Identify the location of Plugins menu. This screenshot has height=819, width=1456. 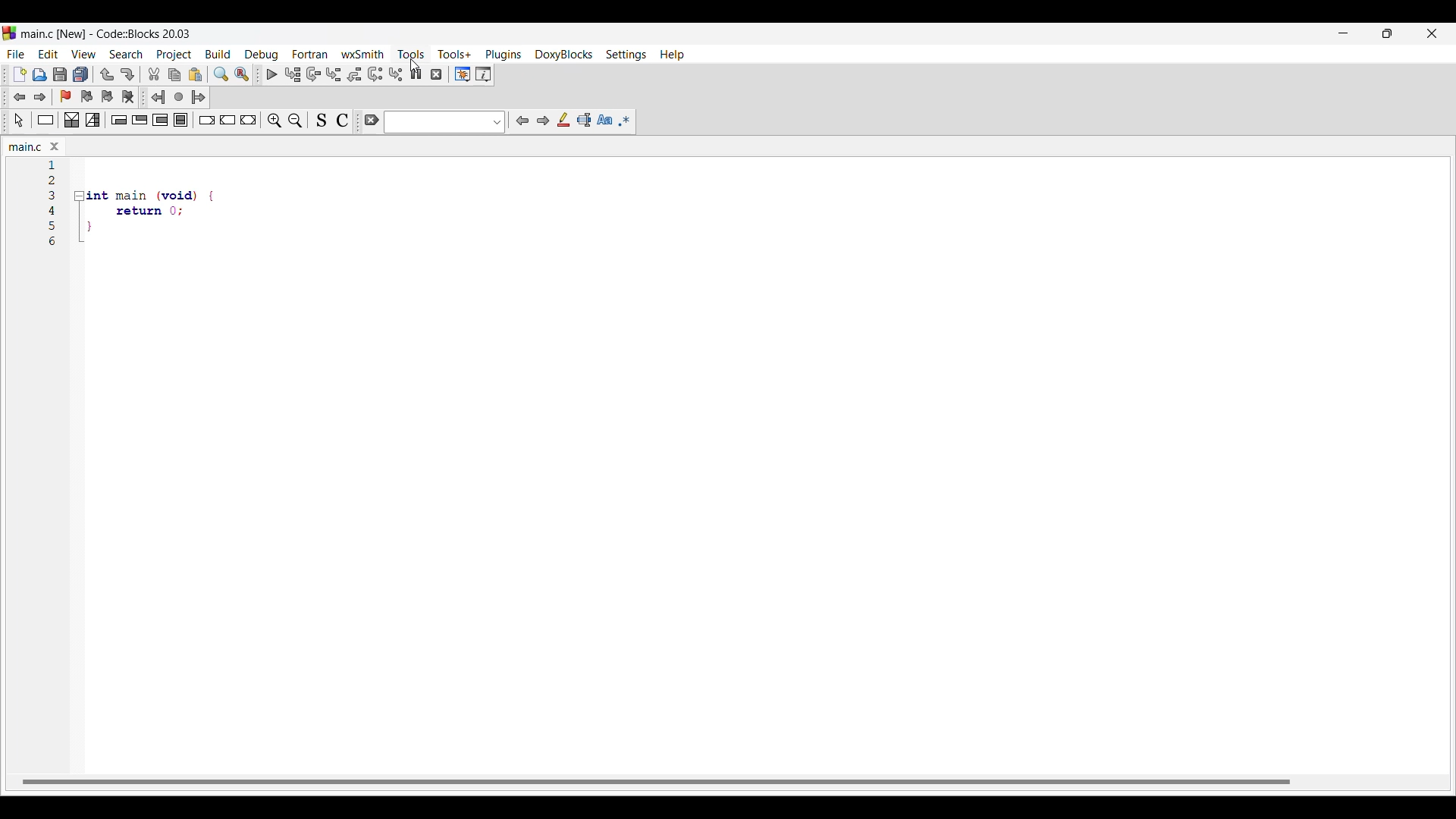
(504, 55).